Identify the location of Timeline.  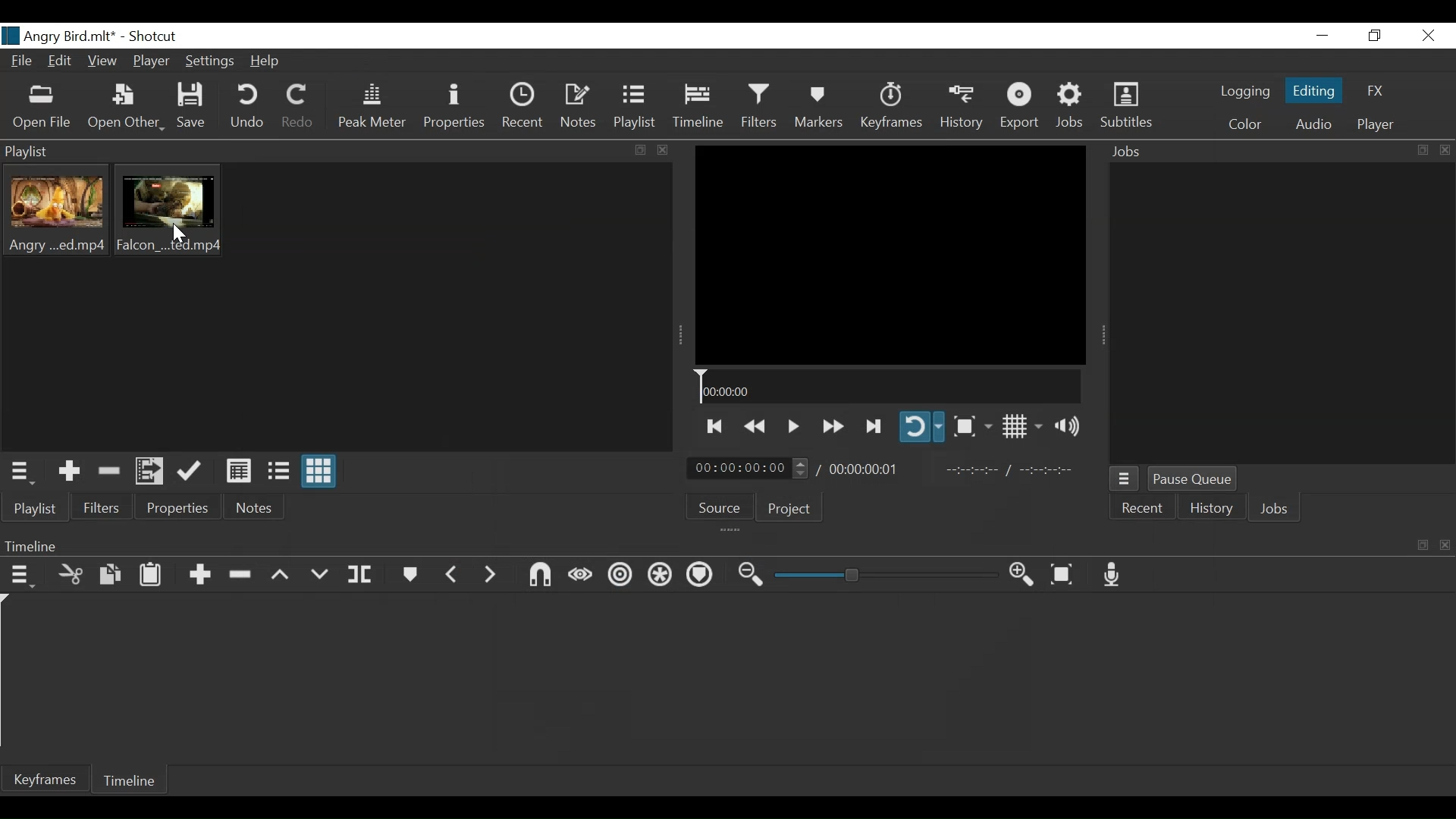
(886, 388).